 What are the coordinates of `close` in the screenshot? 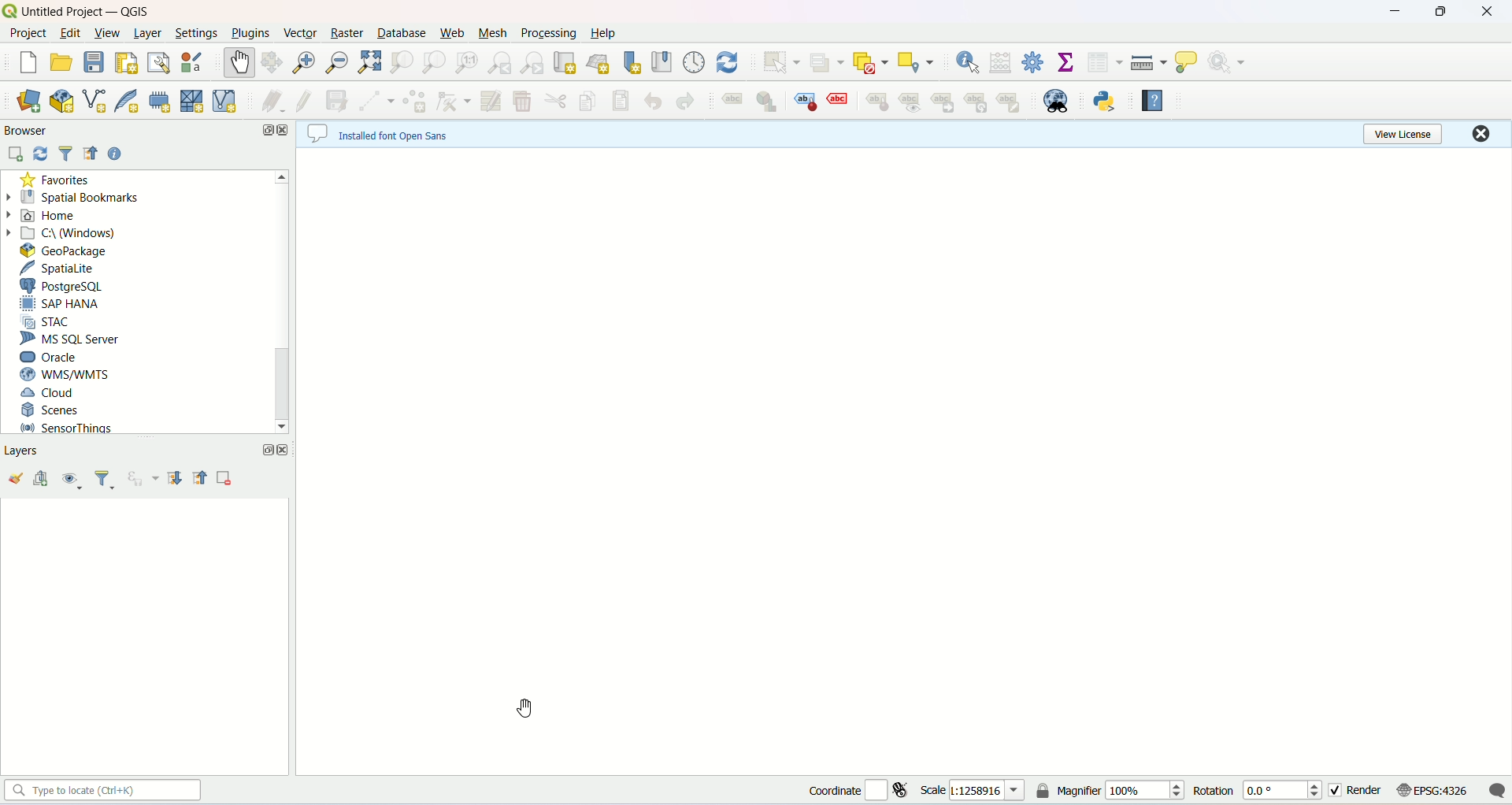 It's located at (283, 453).